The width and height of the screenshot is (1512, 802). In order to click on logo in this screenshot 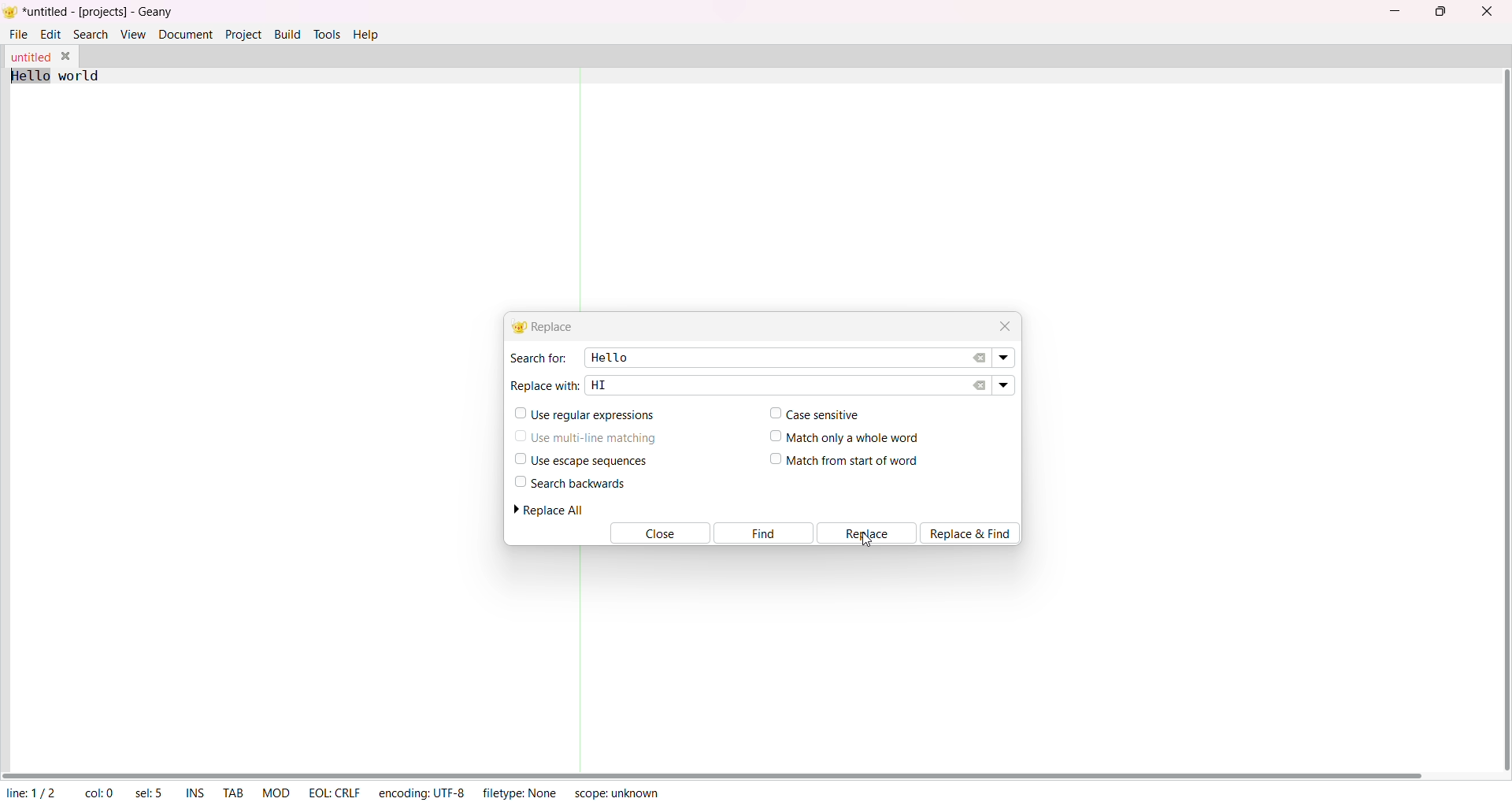, I will do `click(10, 13)`.